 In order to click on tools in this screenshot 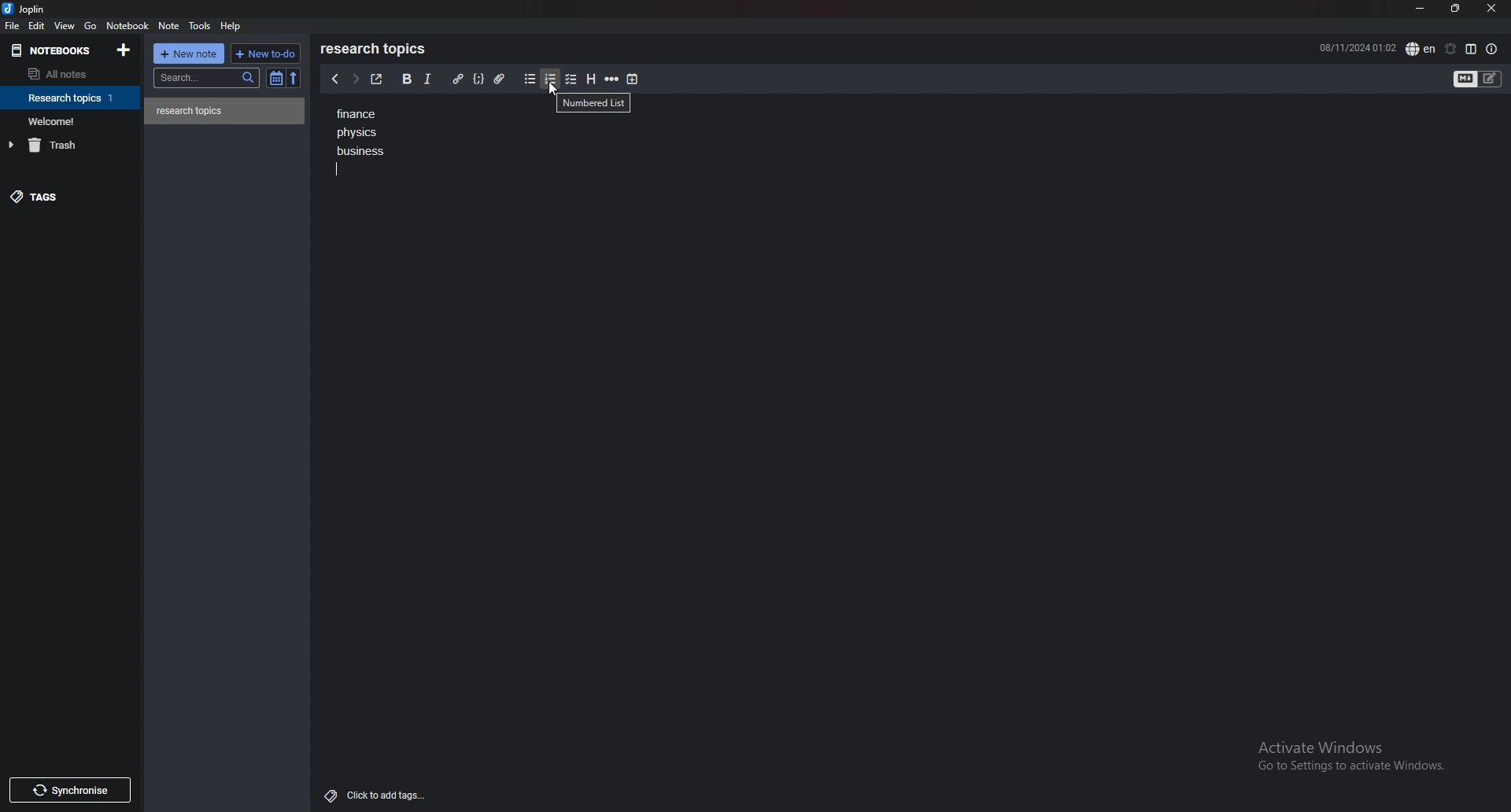, I will do `click(200, 26)`.